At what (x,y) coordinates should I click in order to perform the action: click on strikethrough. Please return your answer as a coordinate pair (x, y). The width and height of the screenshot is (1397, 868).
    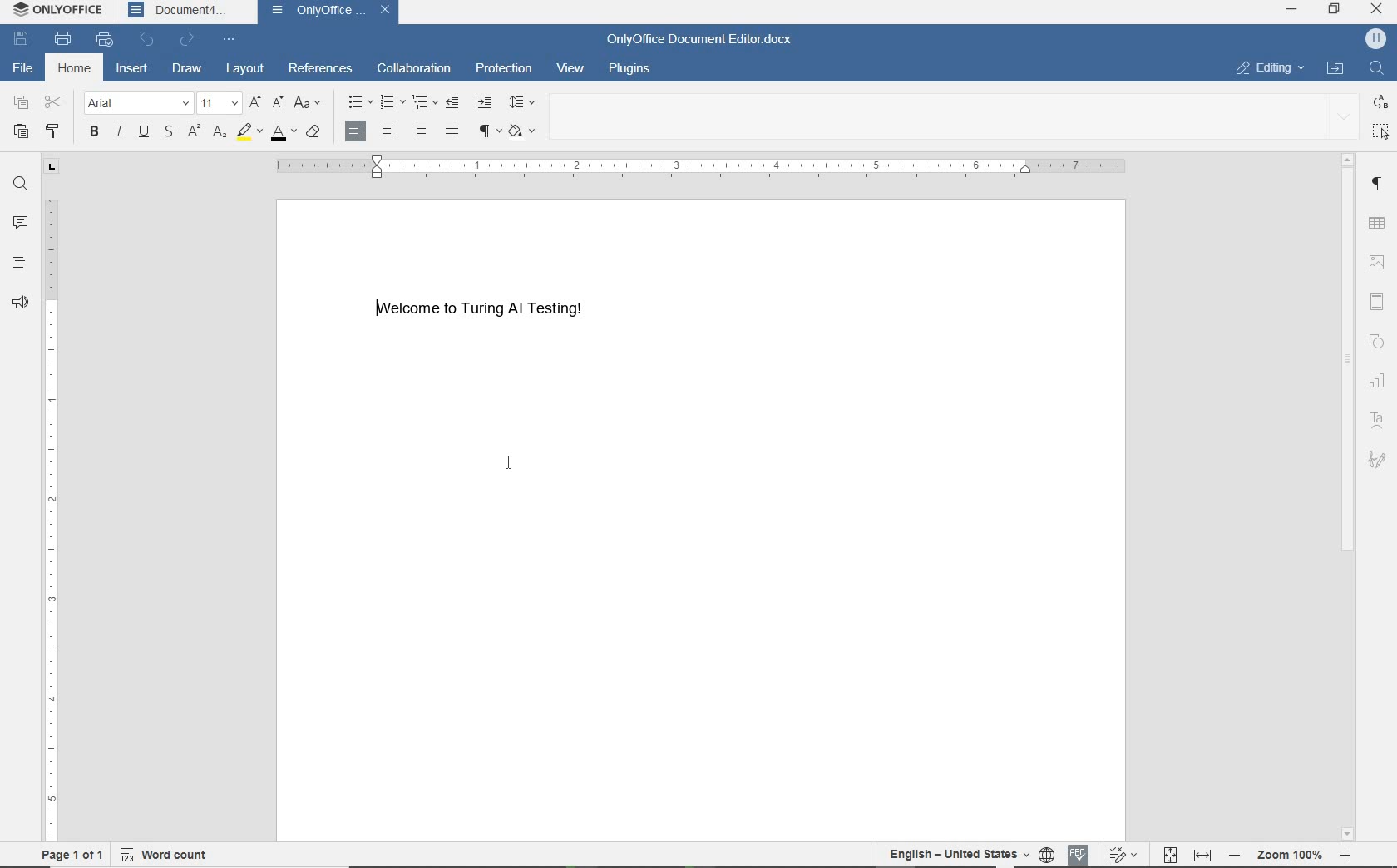
    Looking at the image, I should click on (170, 133).